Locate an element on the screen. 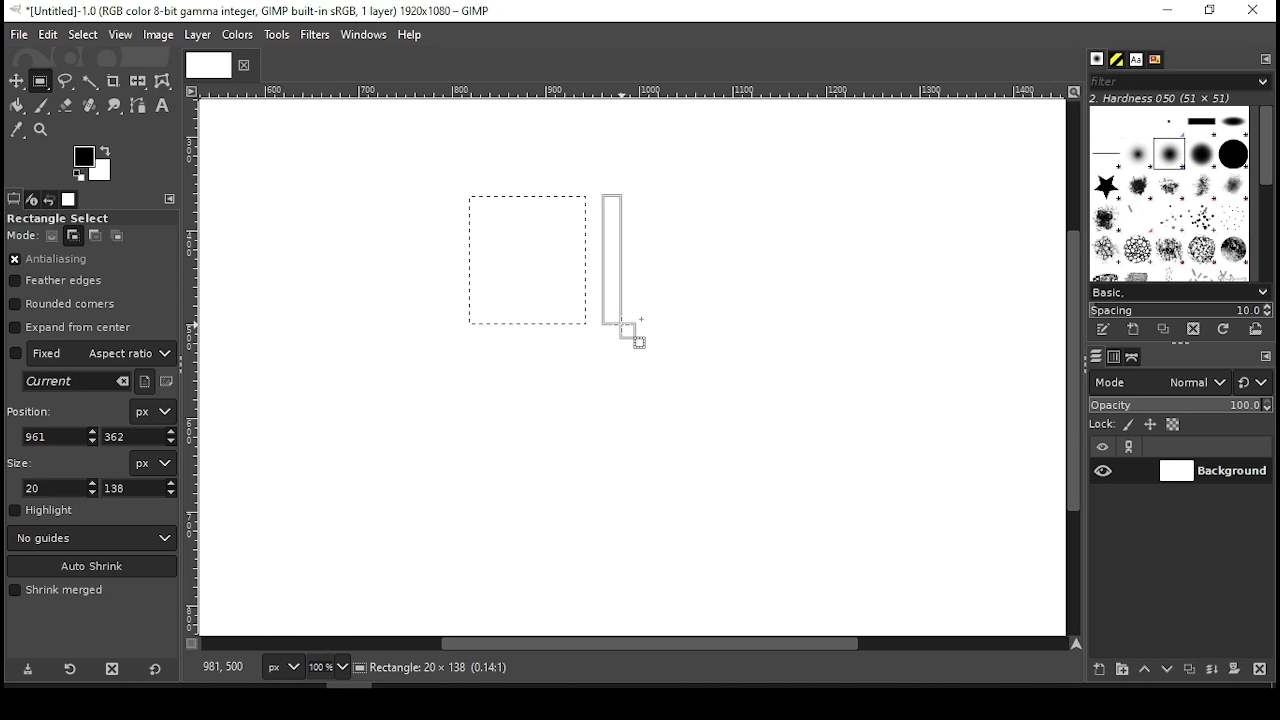 This screenshot has height=720, width=1280. icon and filename is located at coordinates (252, 9).